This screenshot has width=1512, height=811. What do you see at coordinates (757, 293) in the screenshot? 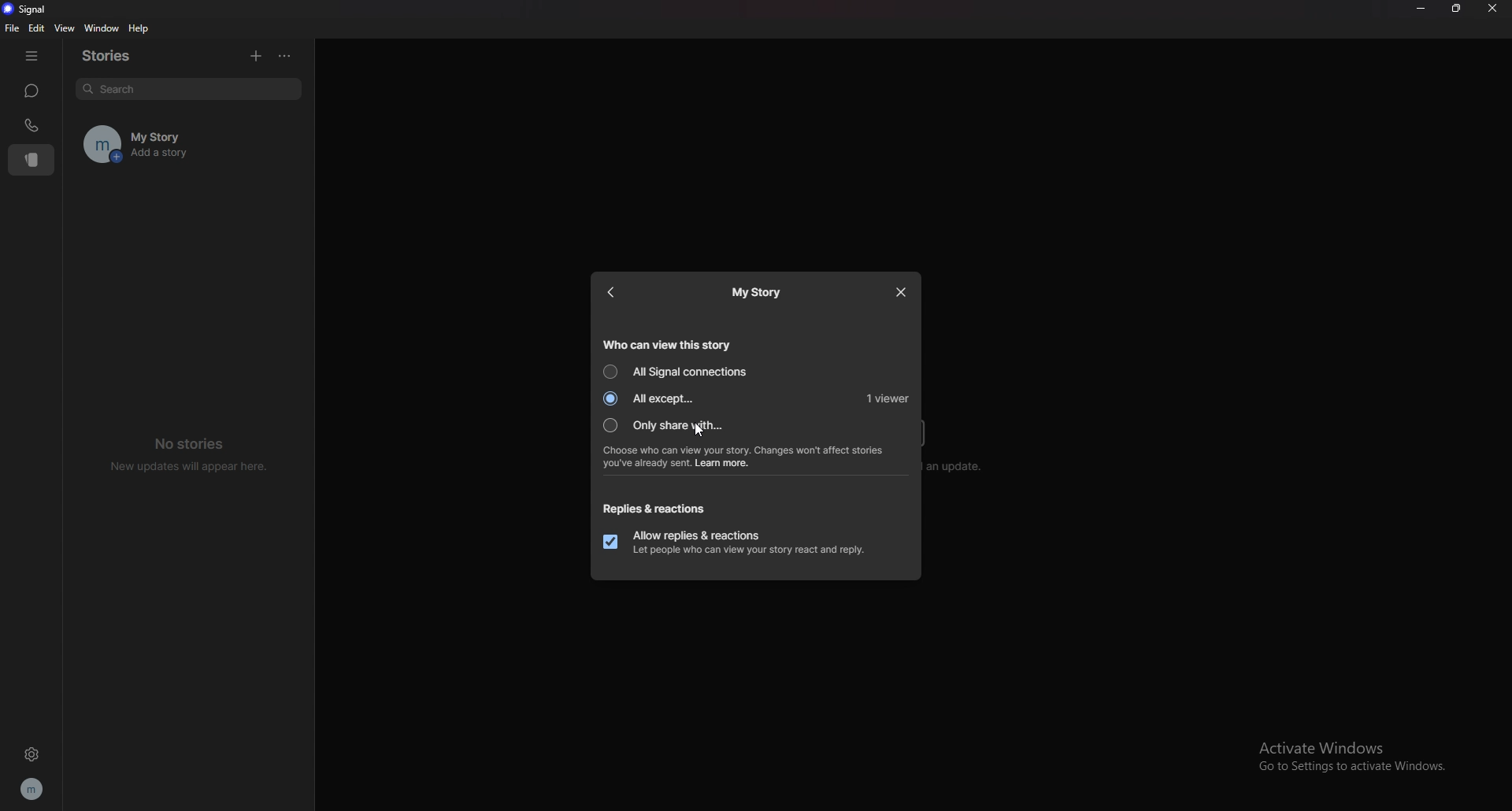
I see `my story` at bounding box center [757, 293].